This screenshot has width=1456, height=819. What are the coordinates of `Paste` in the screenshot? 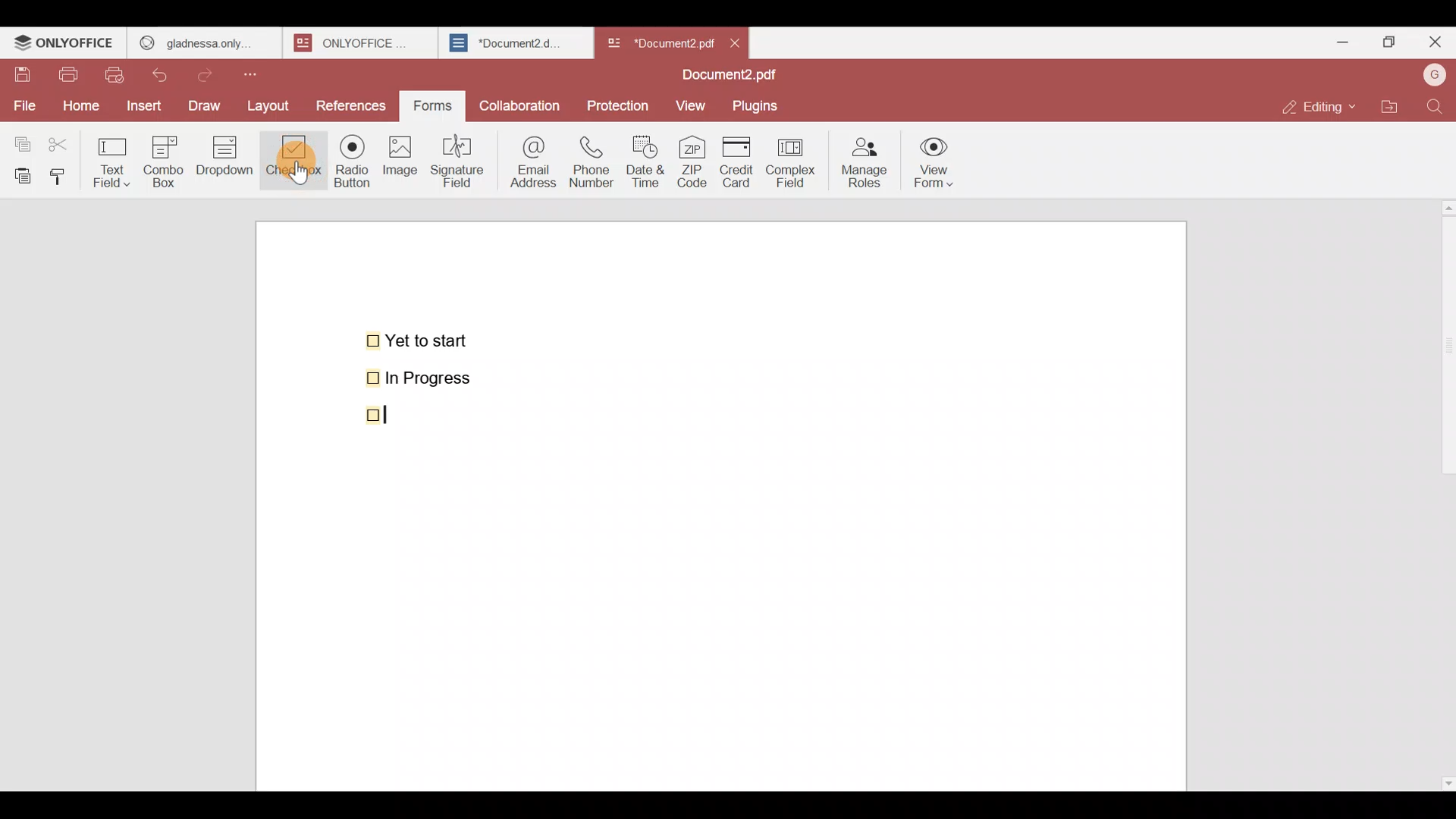 It's located at (20, 174).